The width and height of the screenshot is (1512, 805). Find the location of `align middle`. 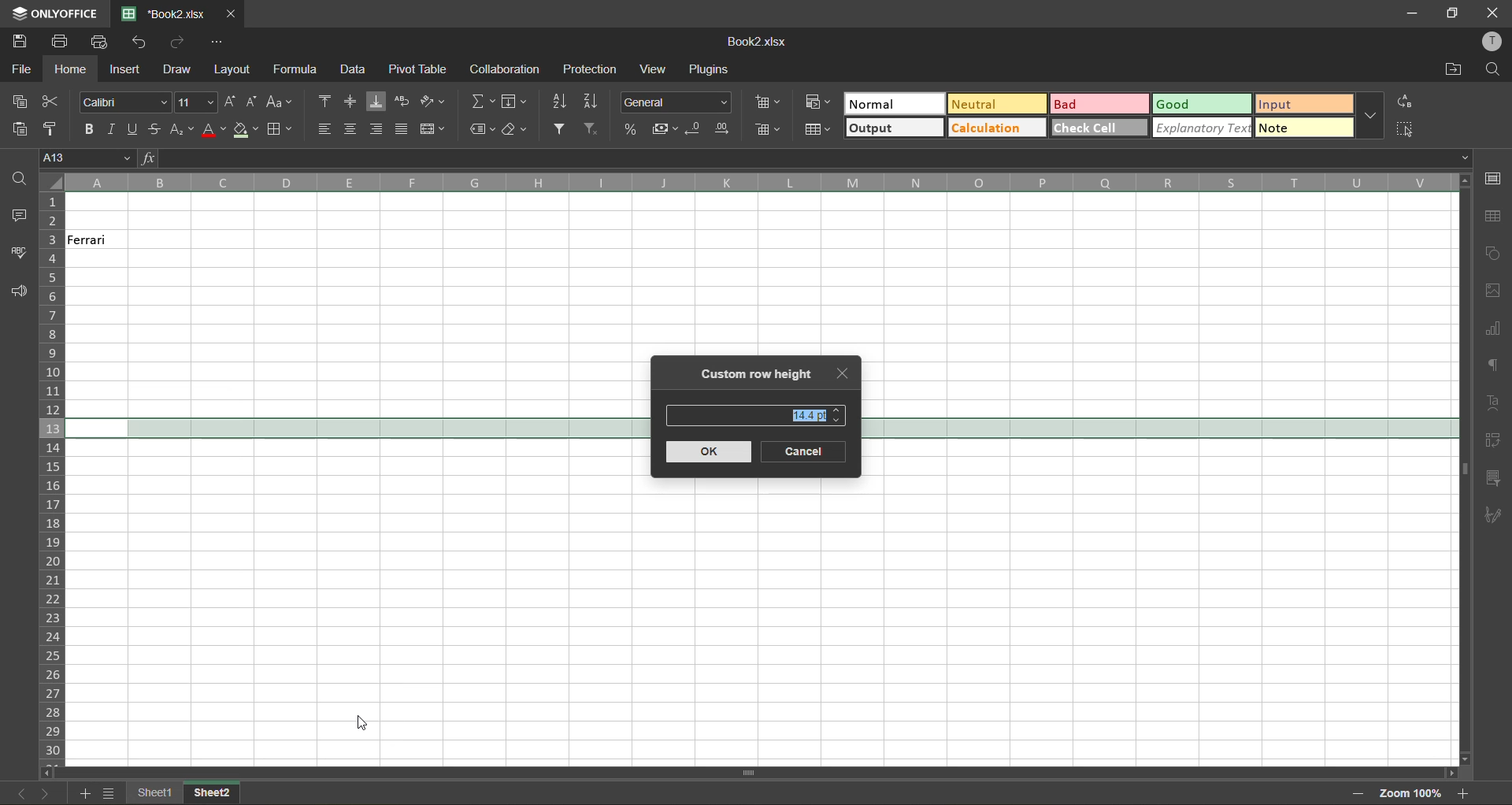

align middle is located at coordinates (349, 100).